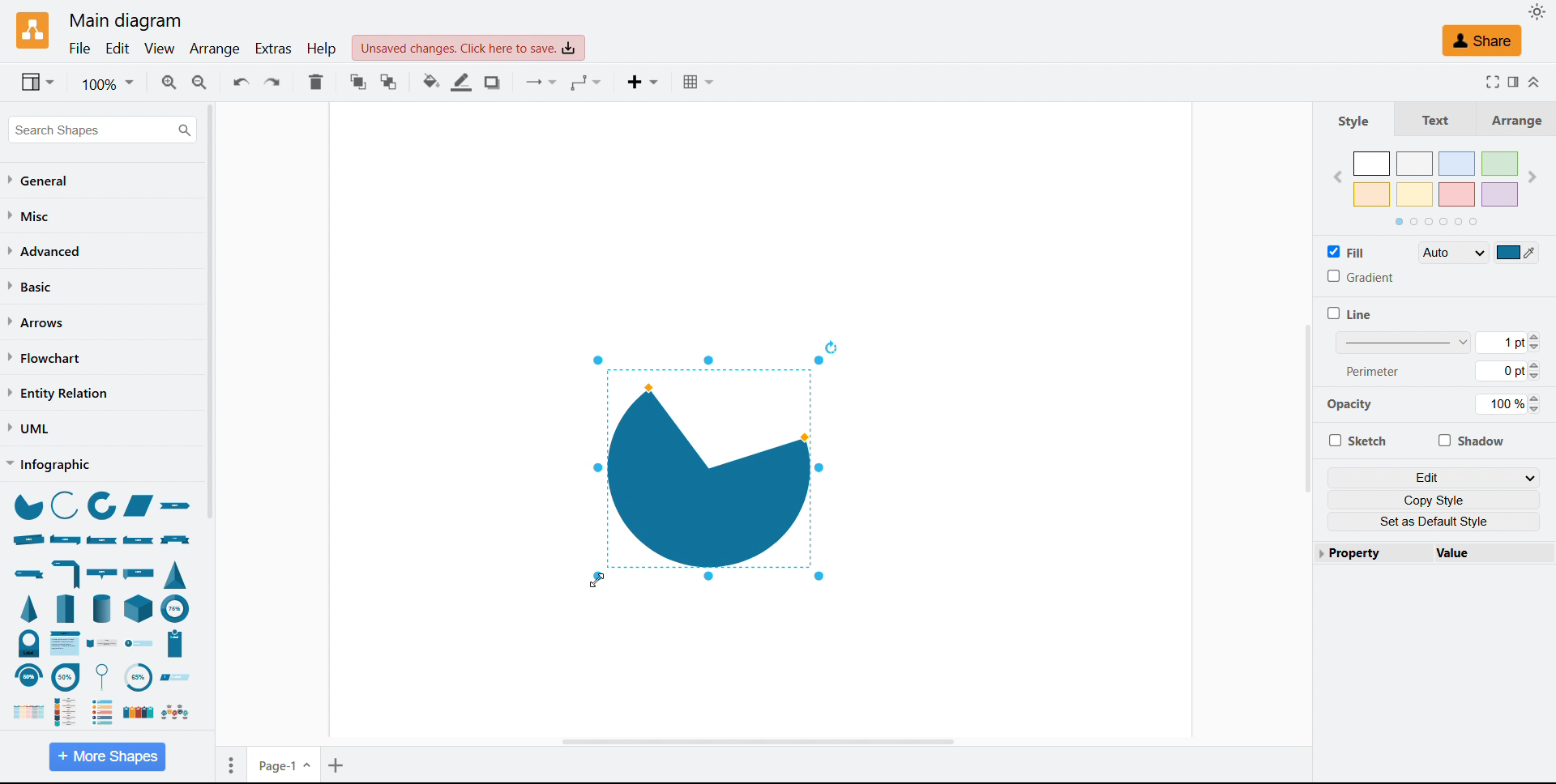 The image size is (1556, 784). Describe the element at coordinates (66, 676) in the screenshot. I see `circular callout` at that location.